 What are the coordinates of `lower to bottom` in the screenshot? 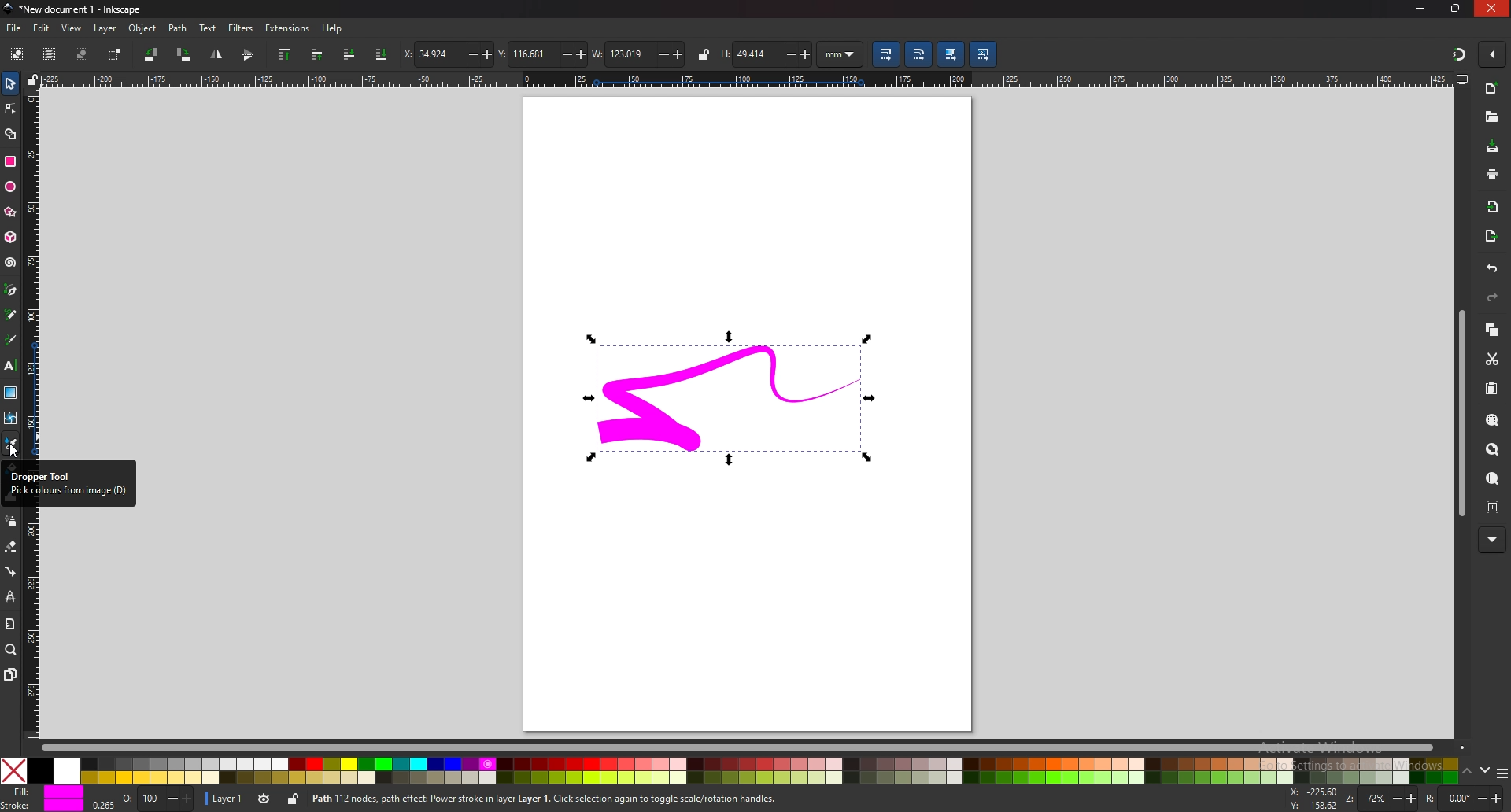 It's located at (382, 55).